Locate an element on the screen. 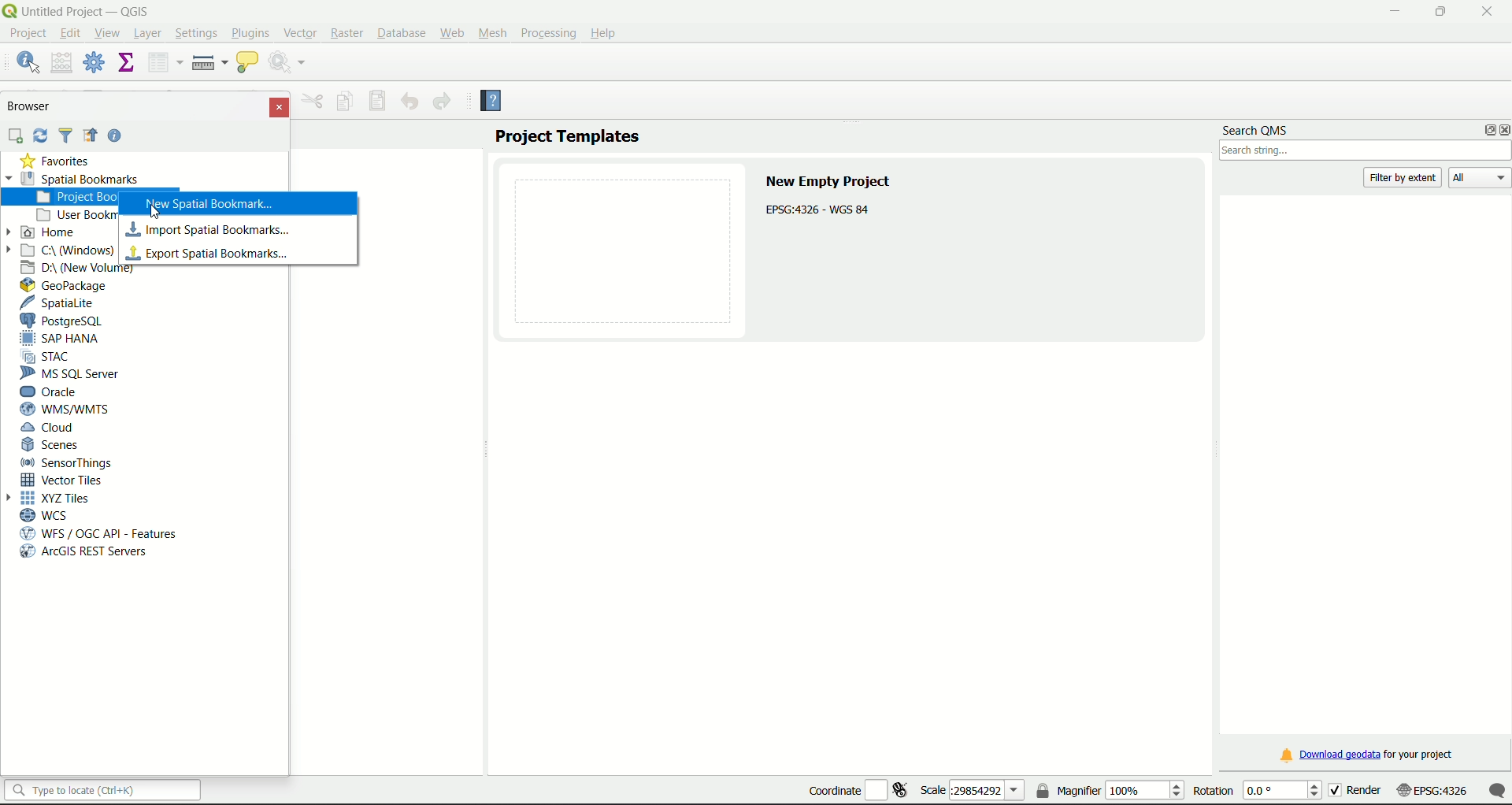  Icon is located at coordinates (90, 136).